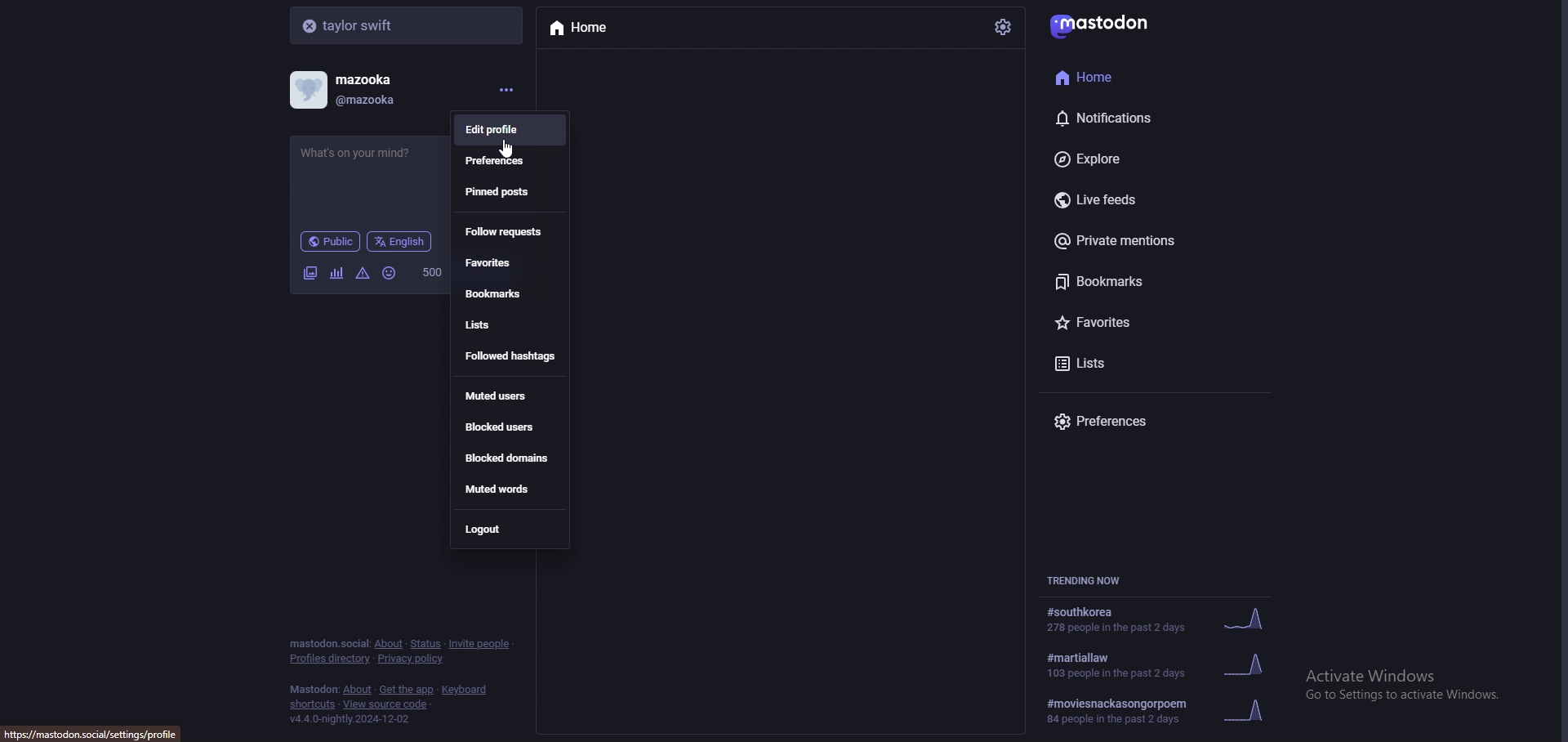 Image resolution: width=1568 pixels, height=742 pixels. Describe the element at coordinates (338, 273) in the screenshot. I see `polls` at that location.